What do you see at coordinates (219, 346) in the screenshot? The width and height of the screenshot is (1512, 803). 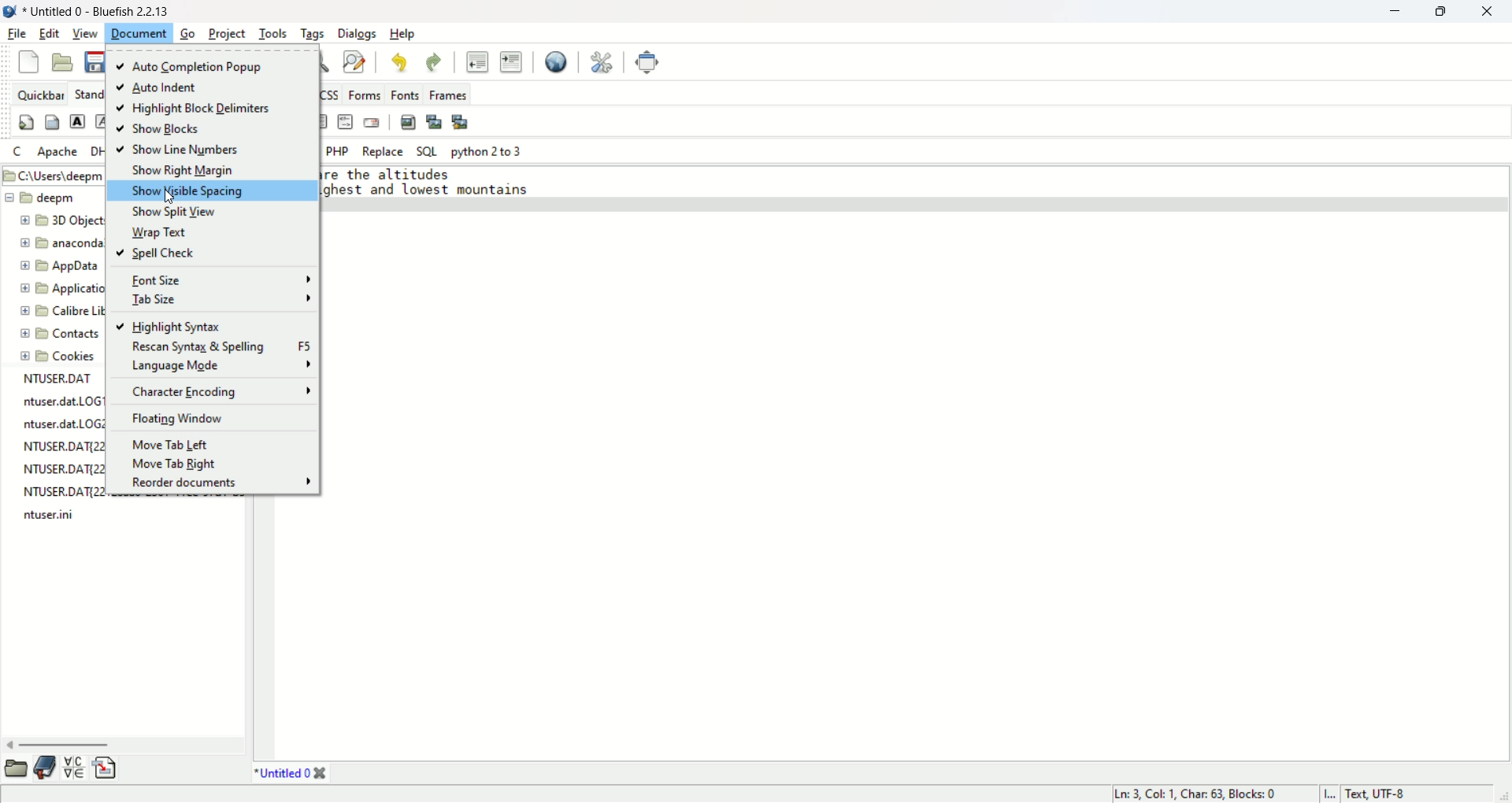 I see `rescan syntax and spelling` at bounding box center [219, 346].